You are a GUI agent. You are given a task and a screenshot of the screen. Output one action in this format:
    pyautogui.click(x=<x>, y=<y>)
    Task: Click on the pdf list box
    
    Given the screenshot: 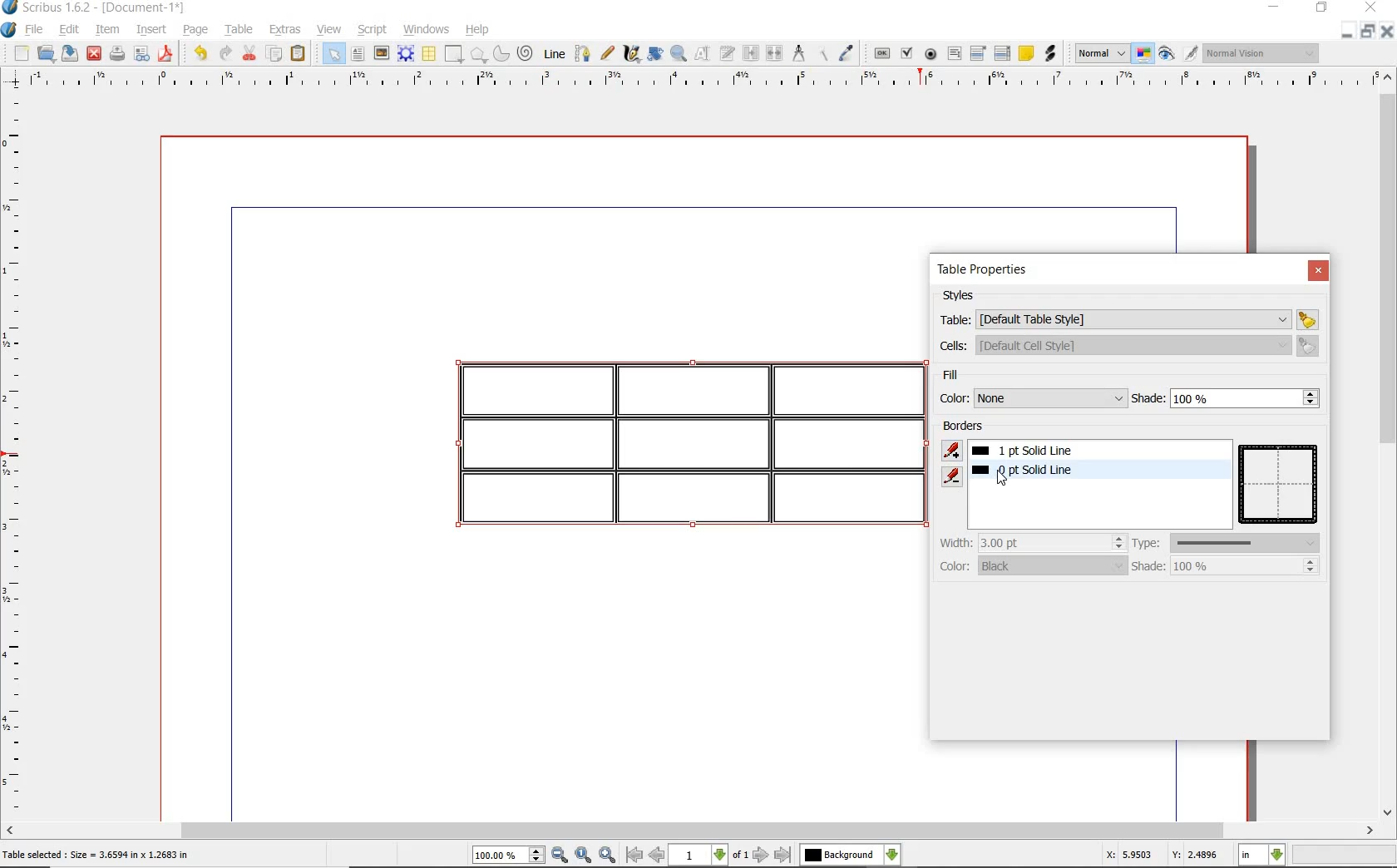 What is the action you would take?
    pyautogui.click(x=1003, y=53)
    